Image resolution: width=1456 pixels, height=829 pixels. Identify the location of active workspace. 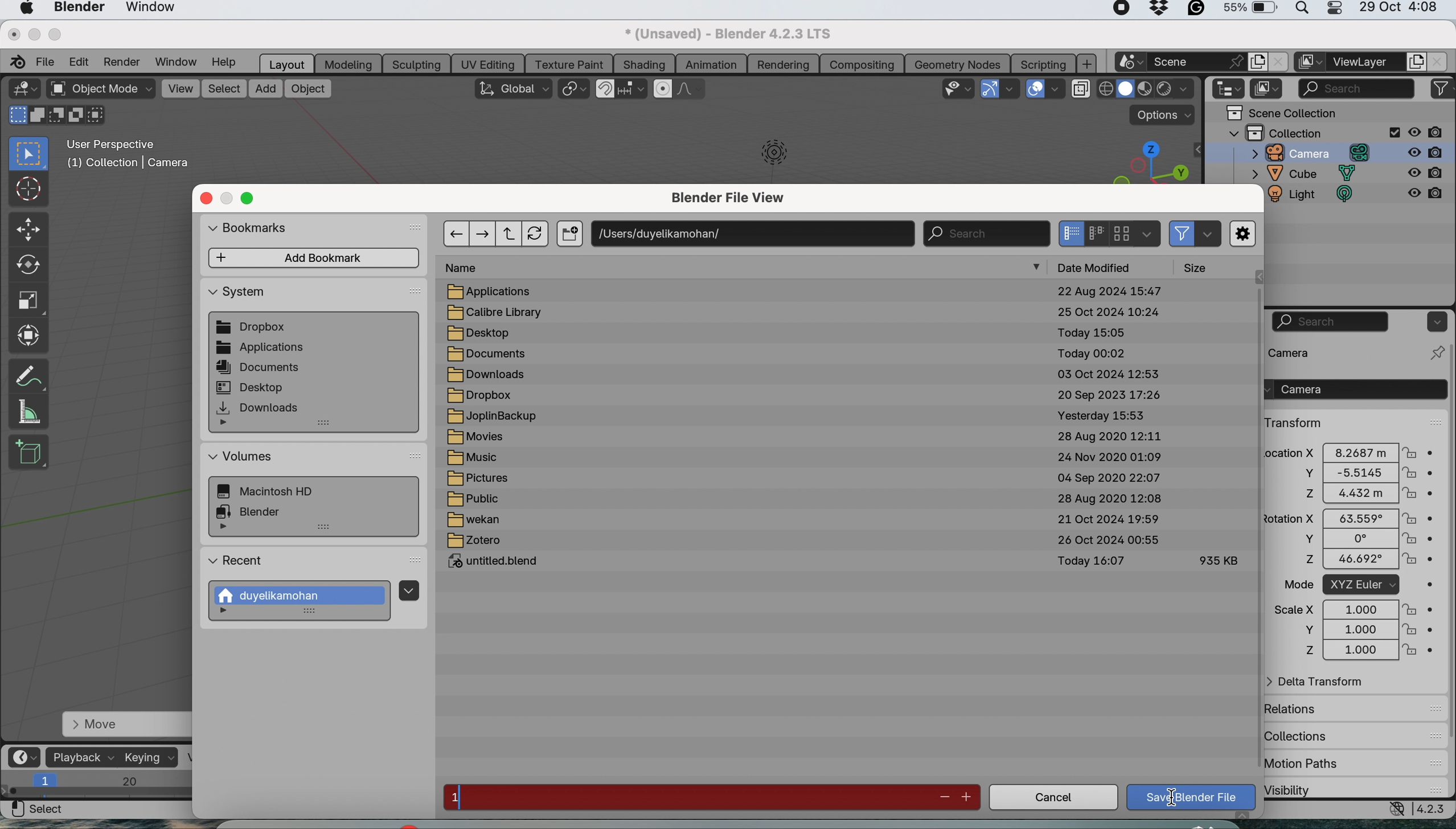
(1310, 62).